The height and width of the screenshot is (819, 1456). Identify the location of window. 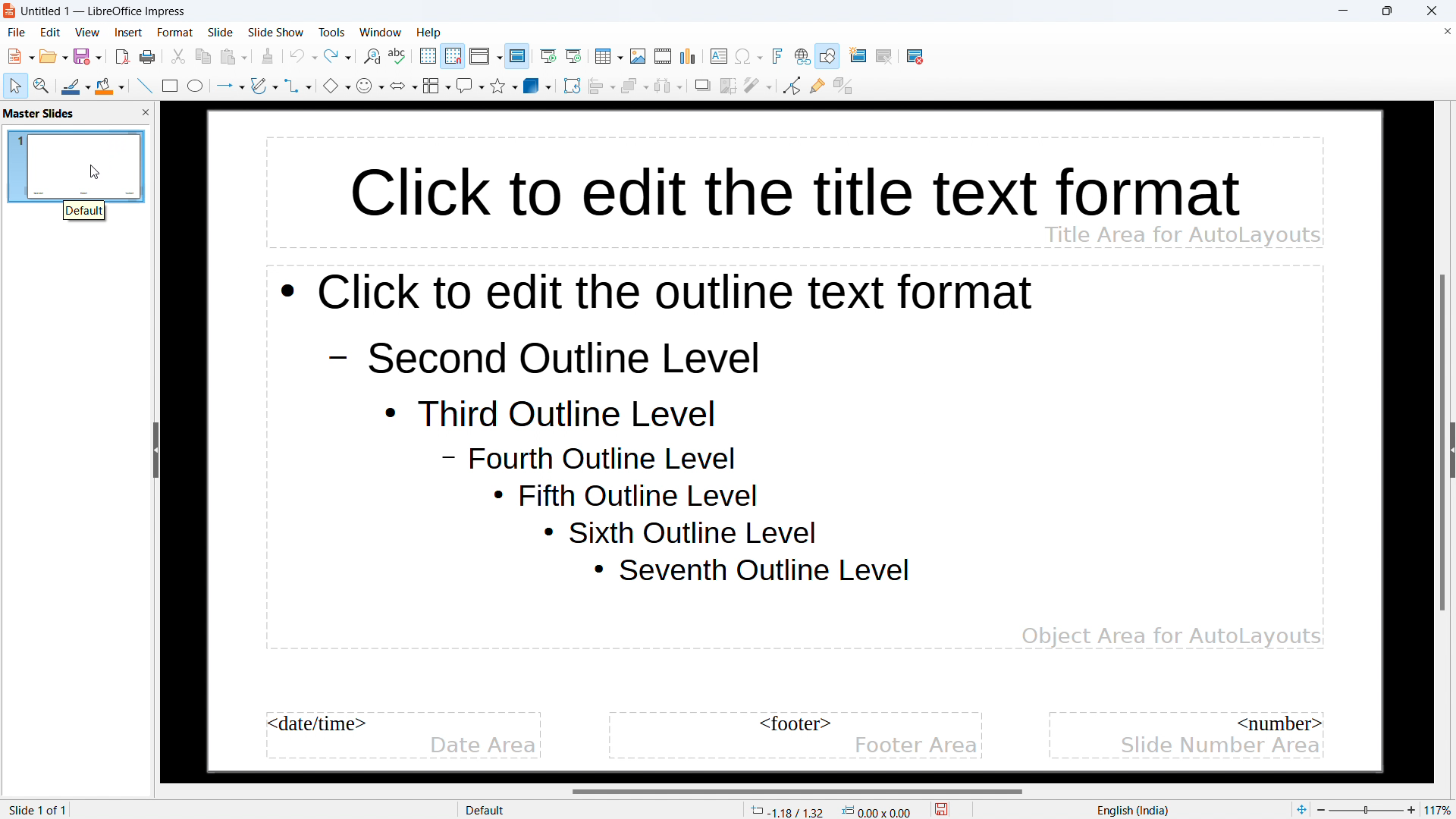
(381, 33).